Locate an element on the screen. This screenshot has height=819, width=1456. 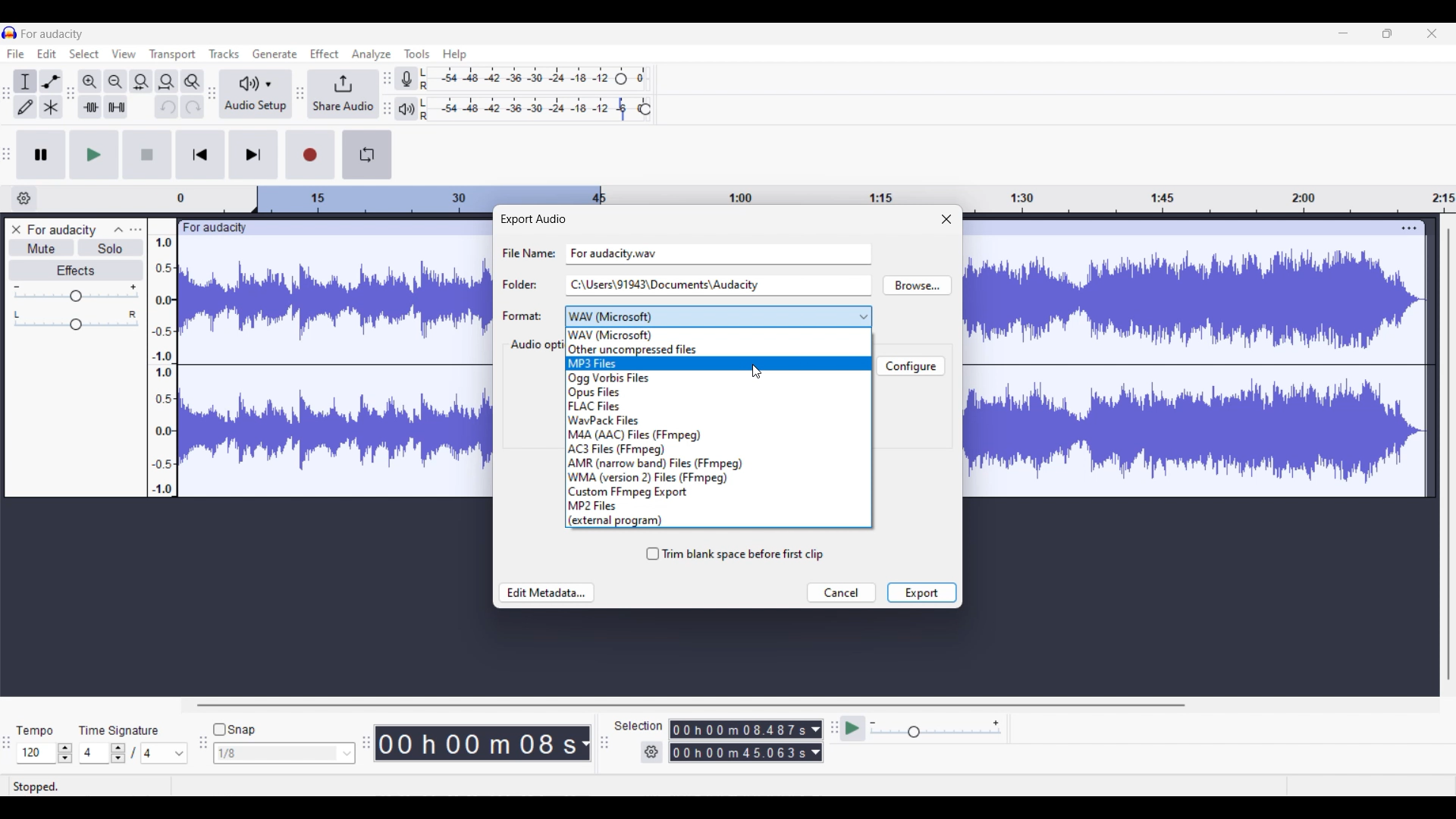
M4A (AAC) Files (FFmpeg) is located at coordinates (718, 435).